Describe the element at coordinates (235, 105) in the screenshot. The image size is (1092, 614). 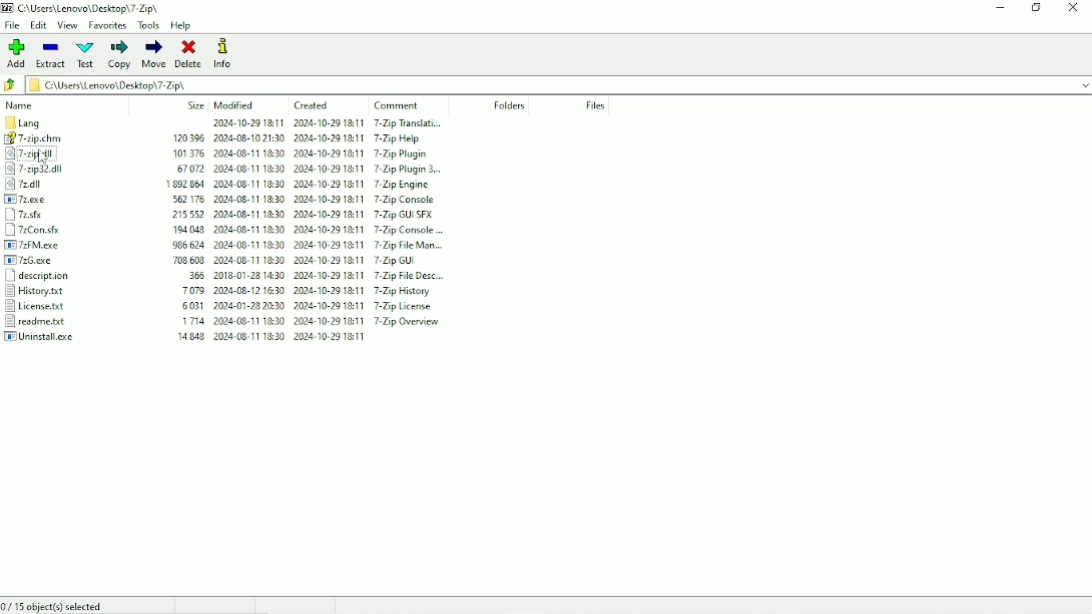
I see `Modified` at that location.